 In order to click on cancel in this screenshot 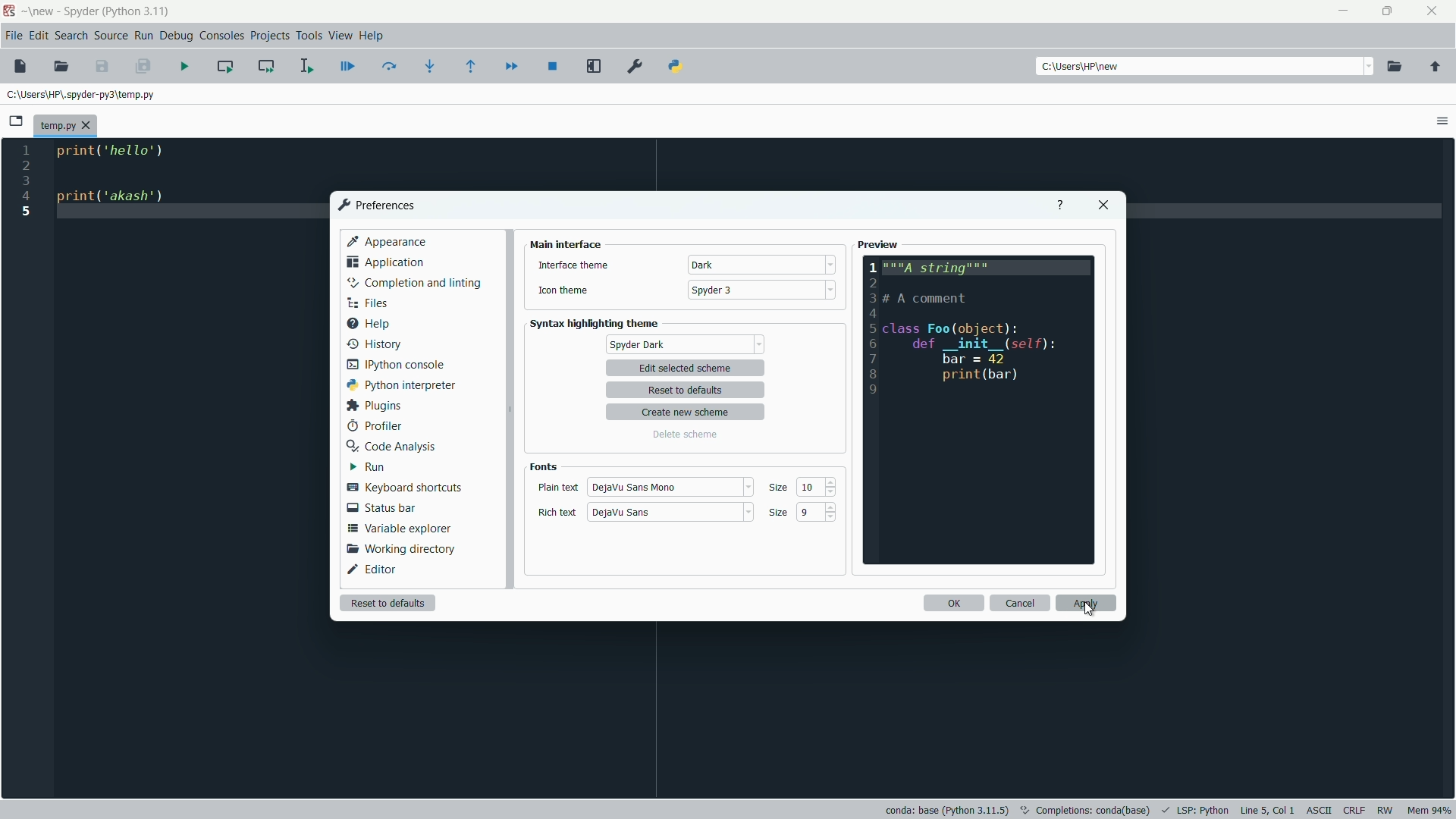, I will do `click(1020, 604)`.